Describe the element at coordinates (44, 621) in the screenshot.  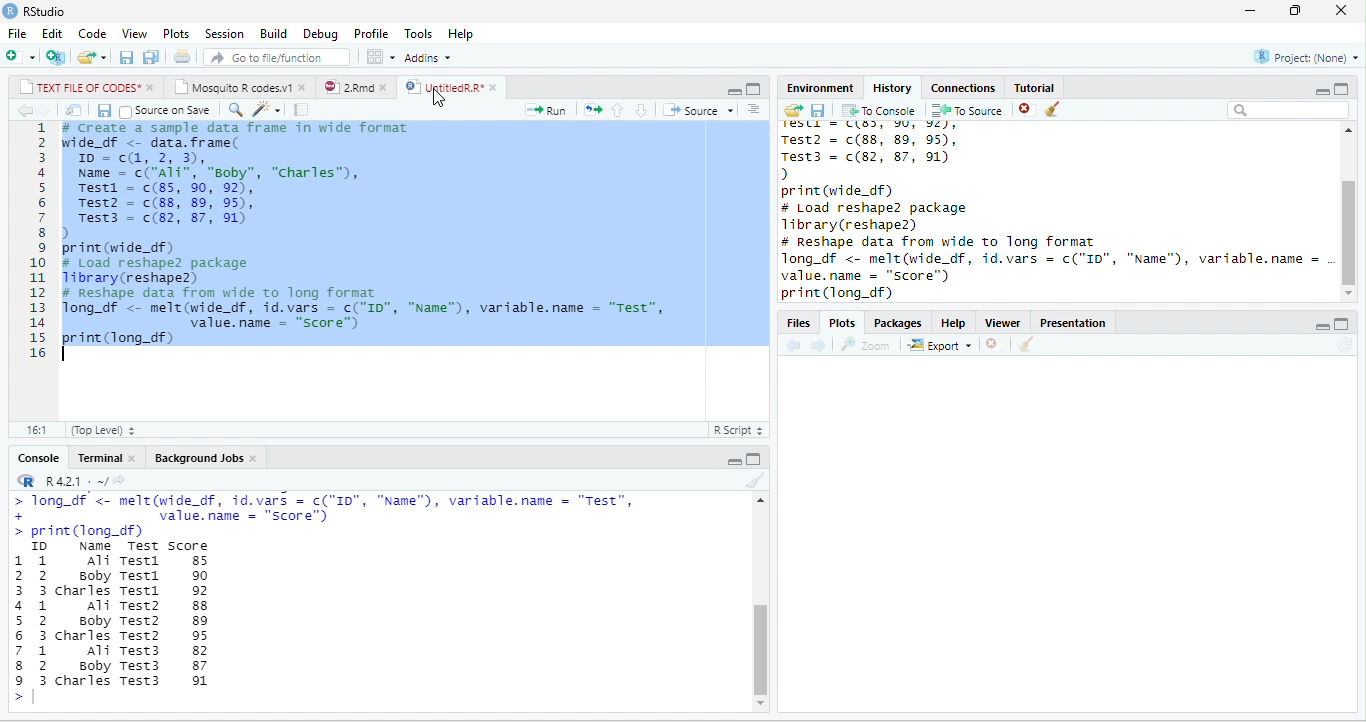
I see `123123123` at that location.